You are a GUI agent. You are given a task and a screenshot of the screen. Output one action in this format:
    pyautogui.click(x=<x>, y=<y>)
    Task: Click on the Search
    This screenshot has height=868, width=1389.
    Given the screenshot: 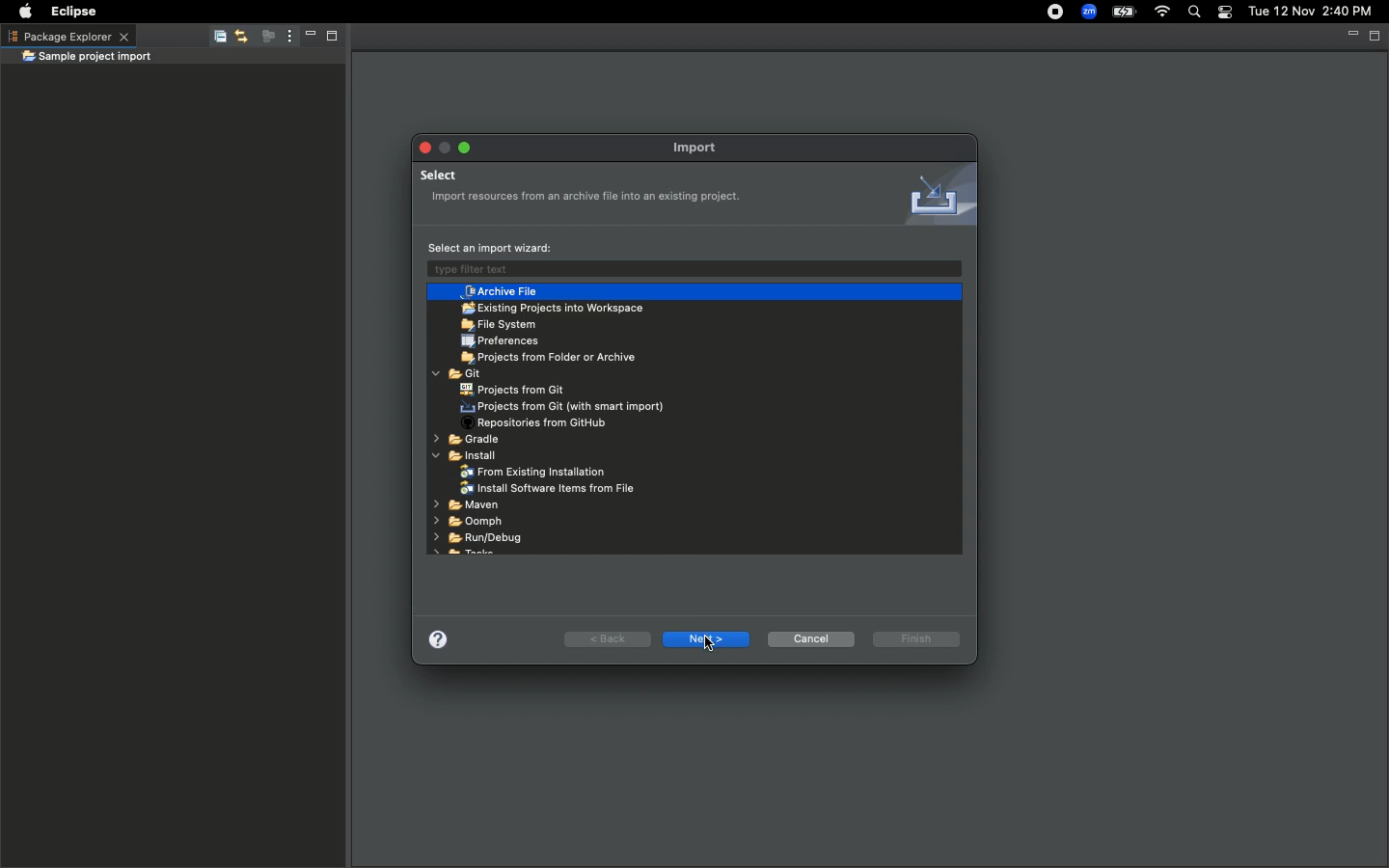 What is the action you would take?
    pyautogui.click(x=1192, y=13)
    